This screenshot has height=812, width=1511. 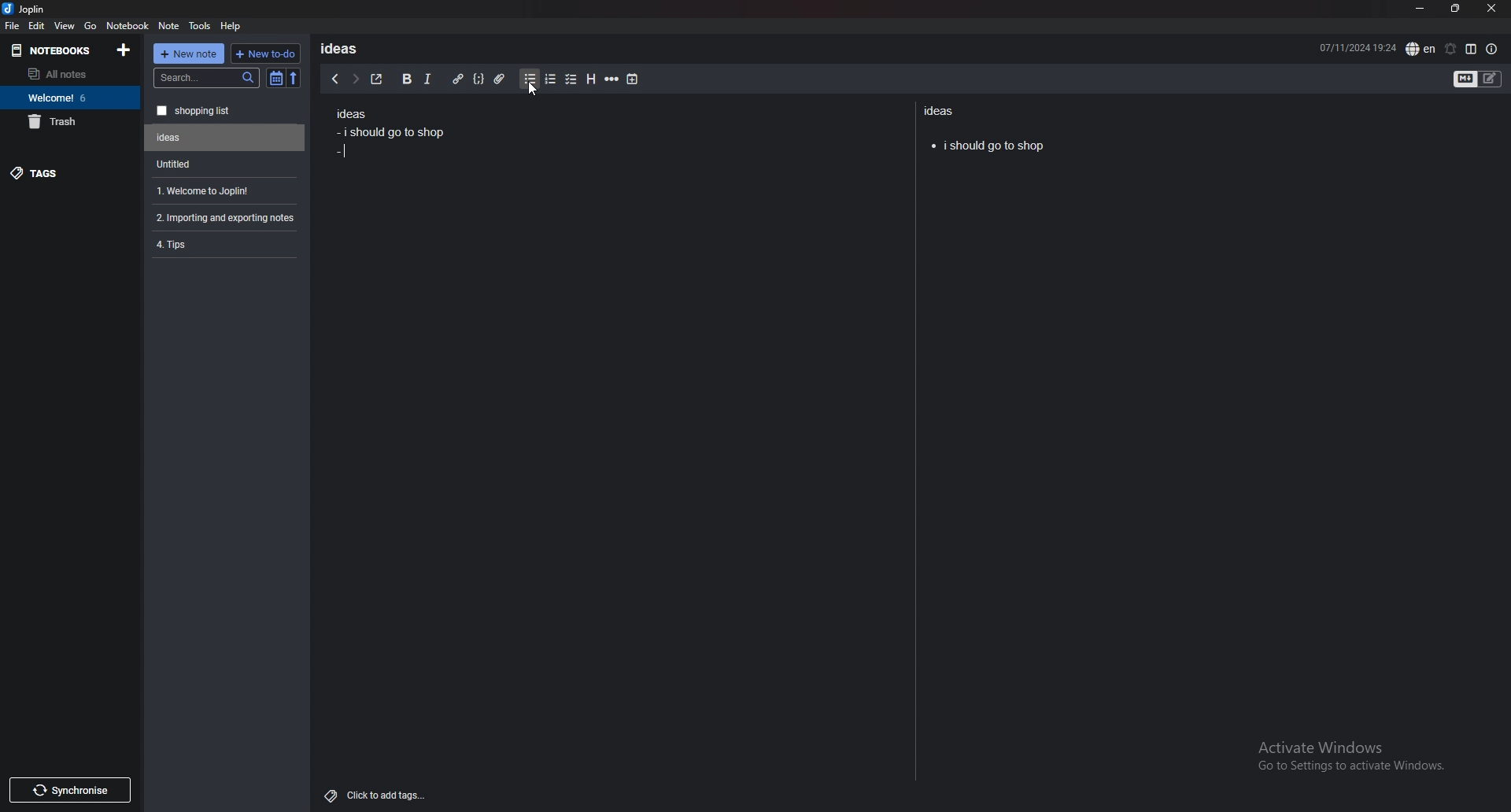 What do you see at coordinates (943, 110) in the screenshot?
I see `ideas` at bounding box center [943, 110].